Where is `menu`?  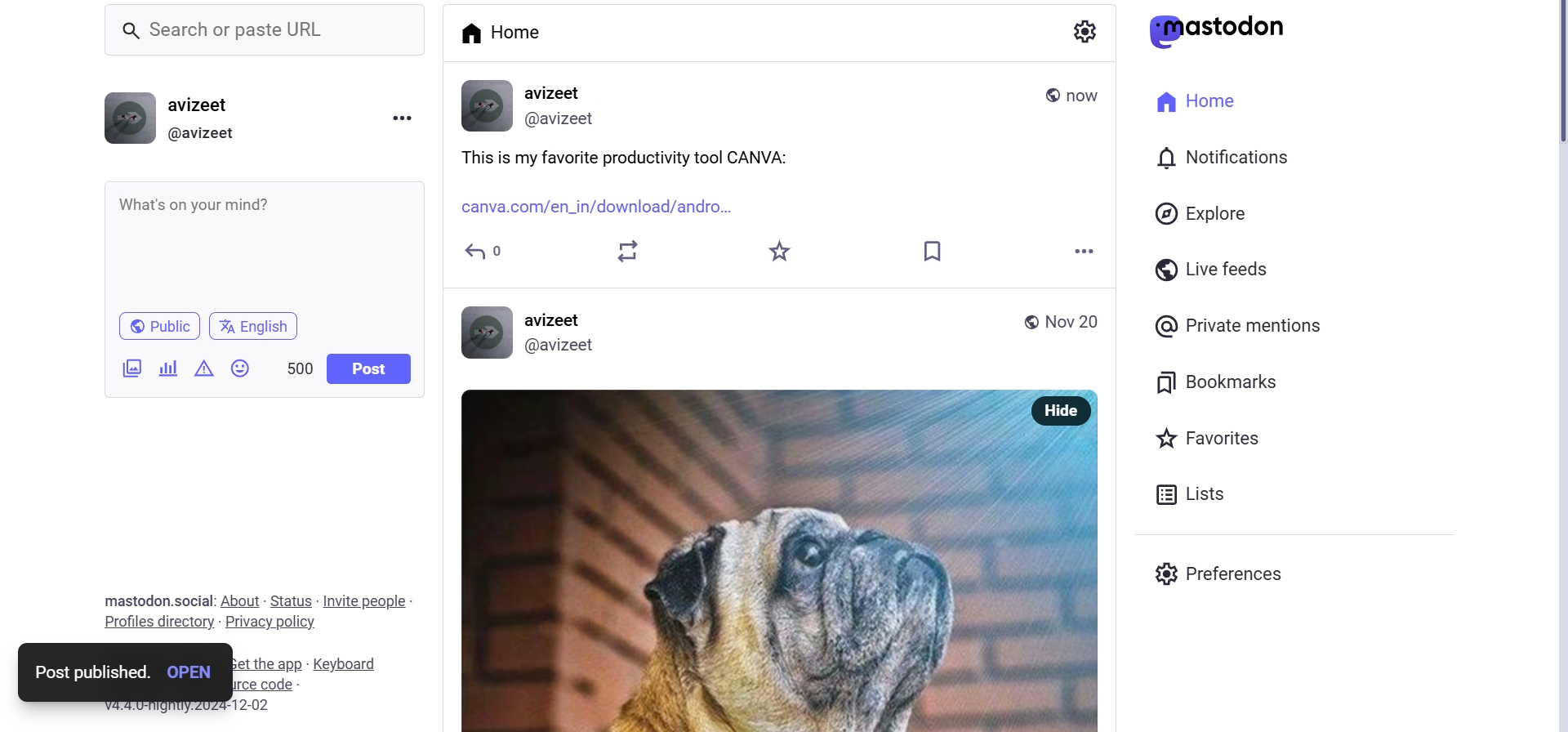 menu is located at coordinates (403, 120).